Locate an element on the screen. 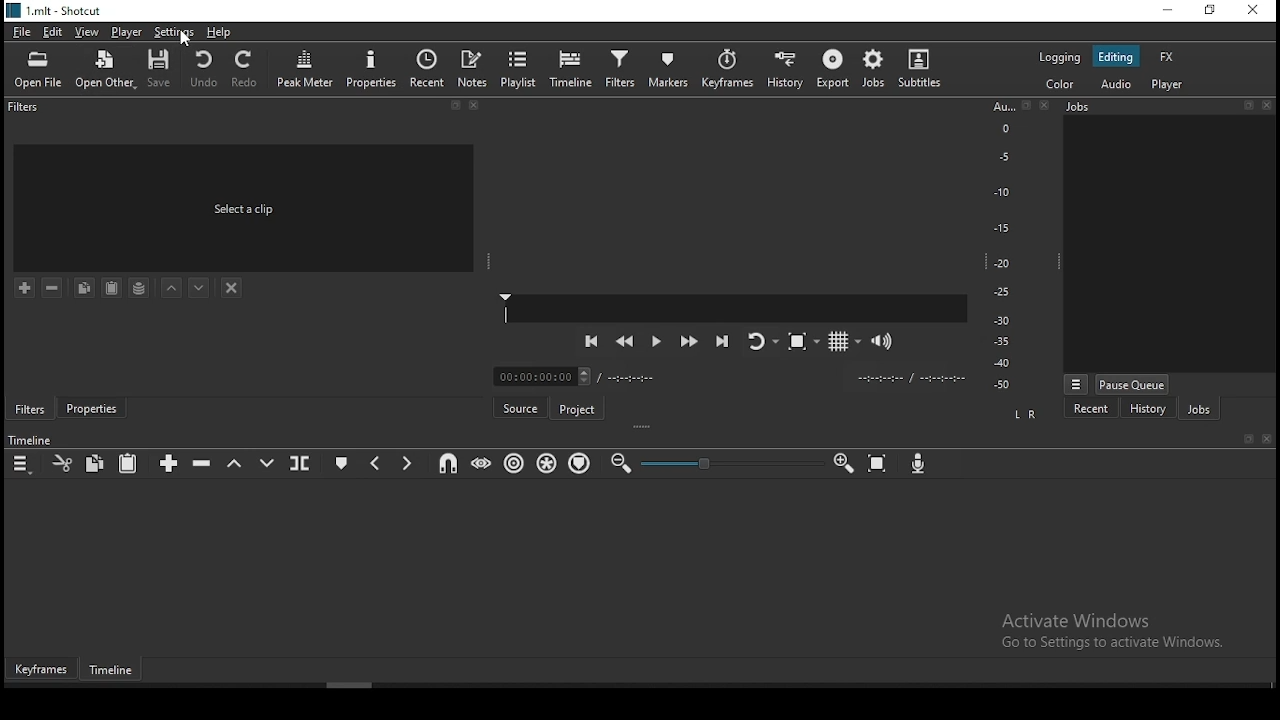 The height and width of the screenshot is (720, 1280). close is located at coordinates (1049, 106).